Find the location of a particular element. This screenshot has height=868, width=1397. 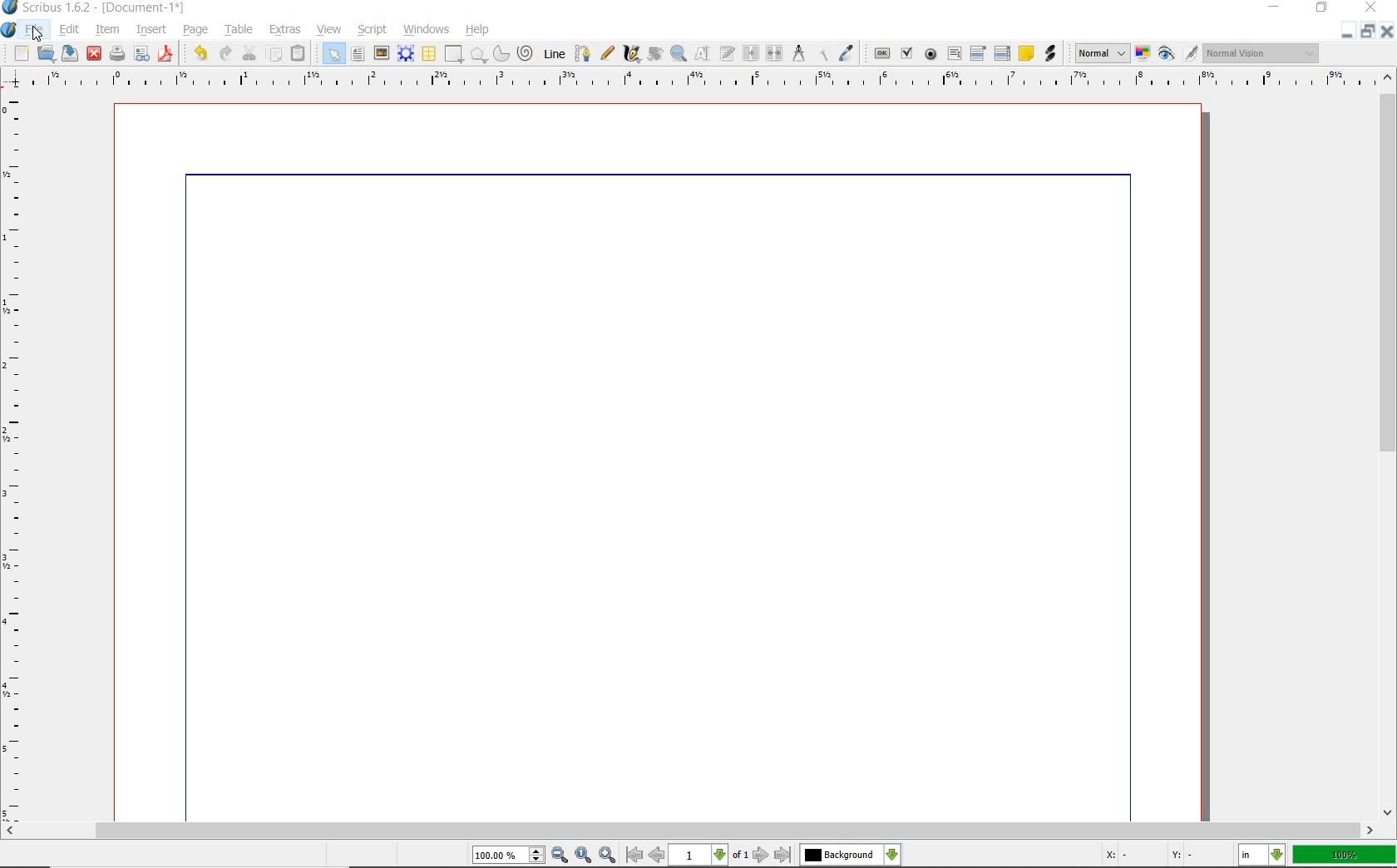

scrollbar is located at coordinates (1389, 446).